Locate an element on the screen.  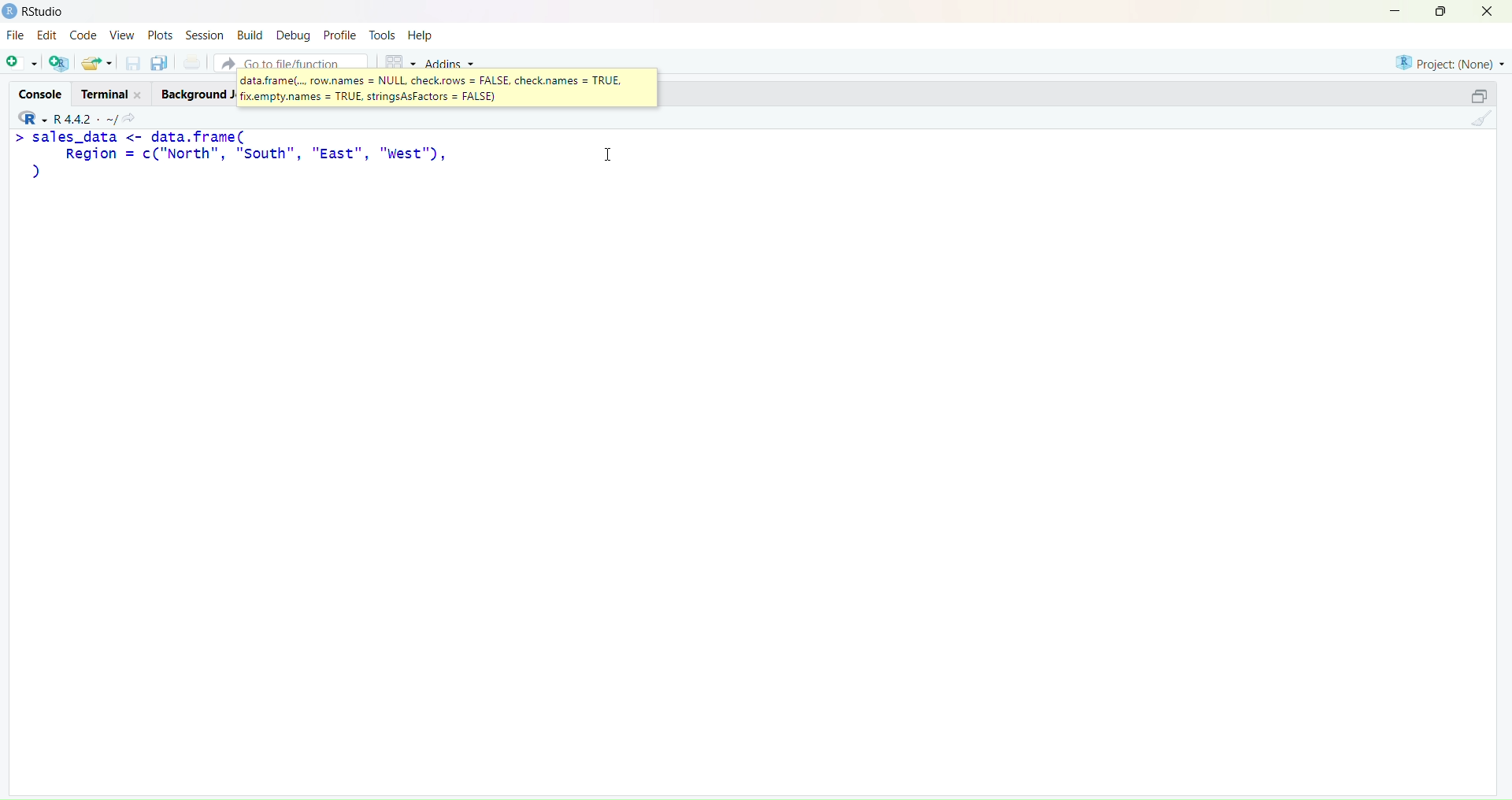
Debug is located at coordinates (293, 35).